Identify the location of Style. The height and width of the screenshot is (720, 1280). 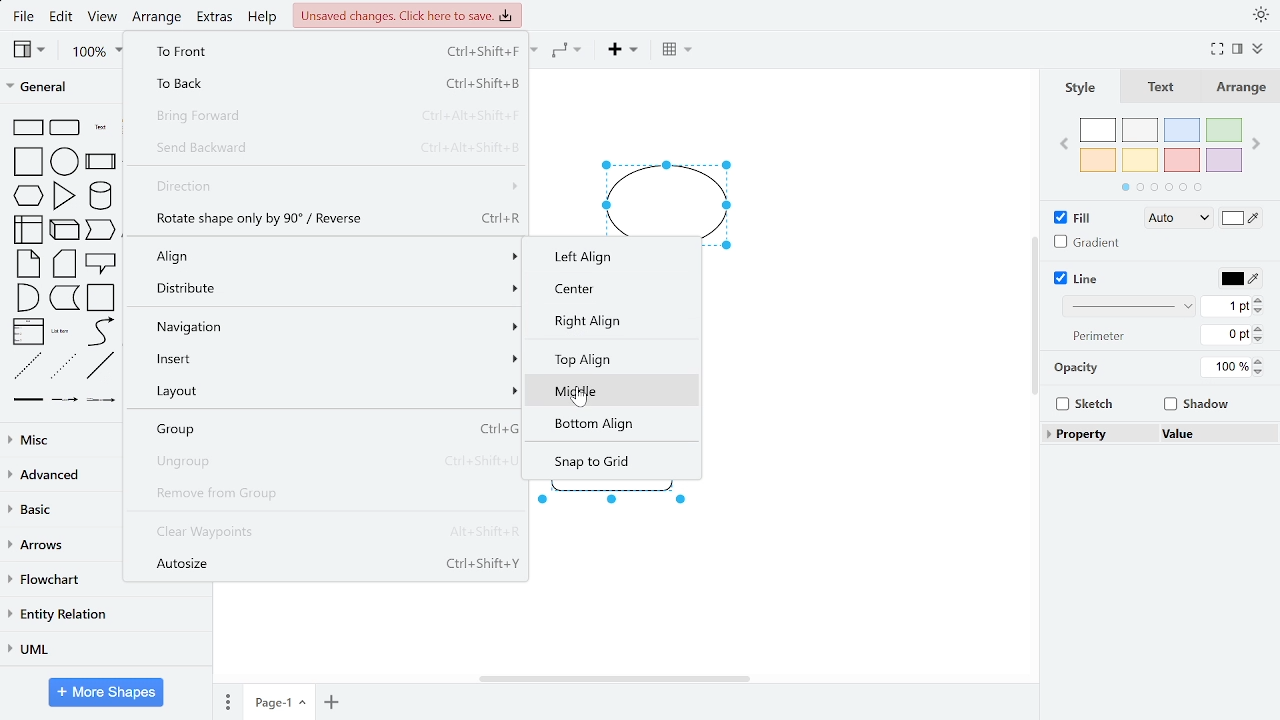
(1081, 87).